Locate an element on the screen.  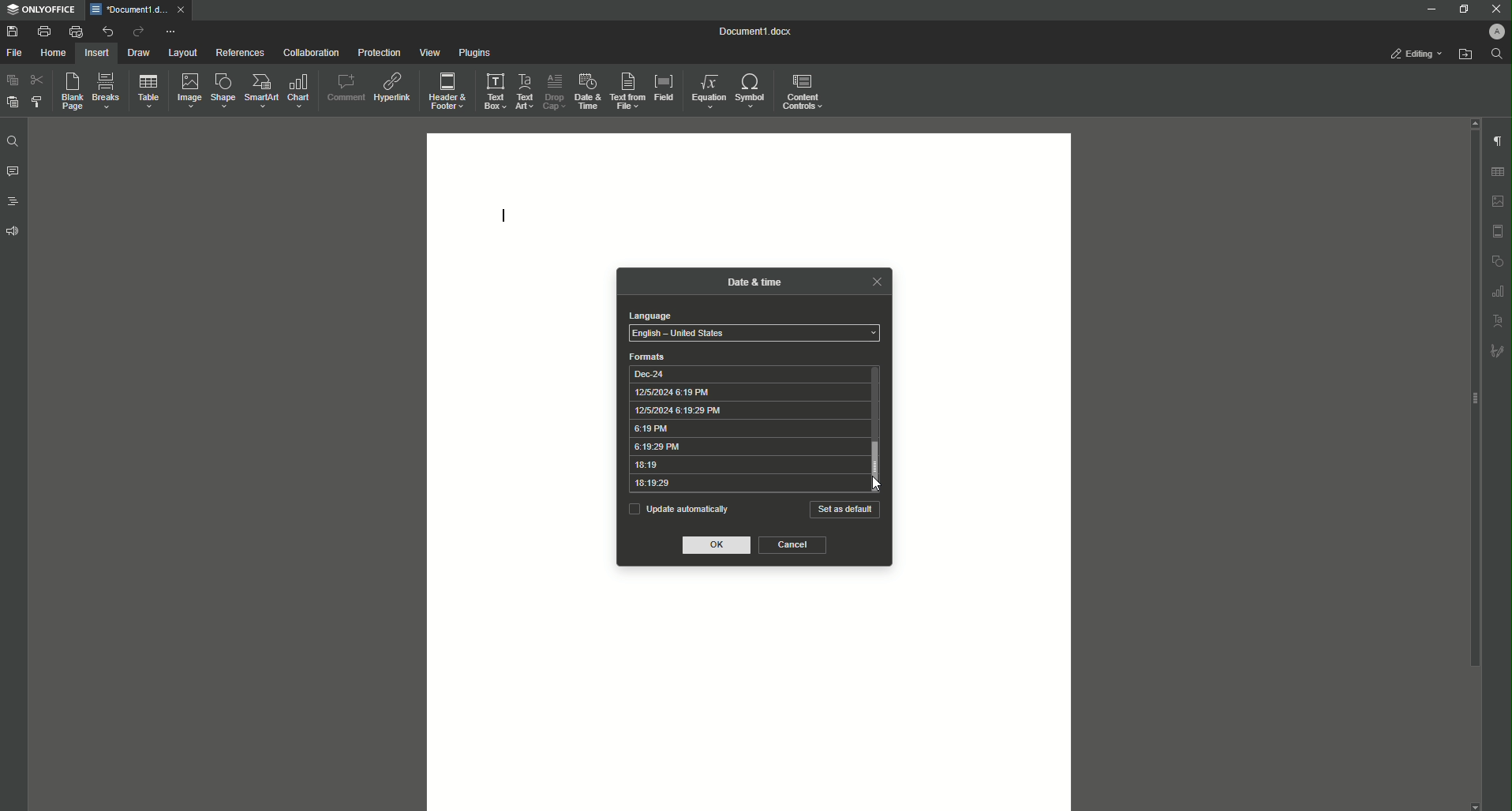
Header and Footer is located at coordinates (447, 88).